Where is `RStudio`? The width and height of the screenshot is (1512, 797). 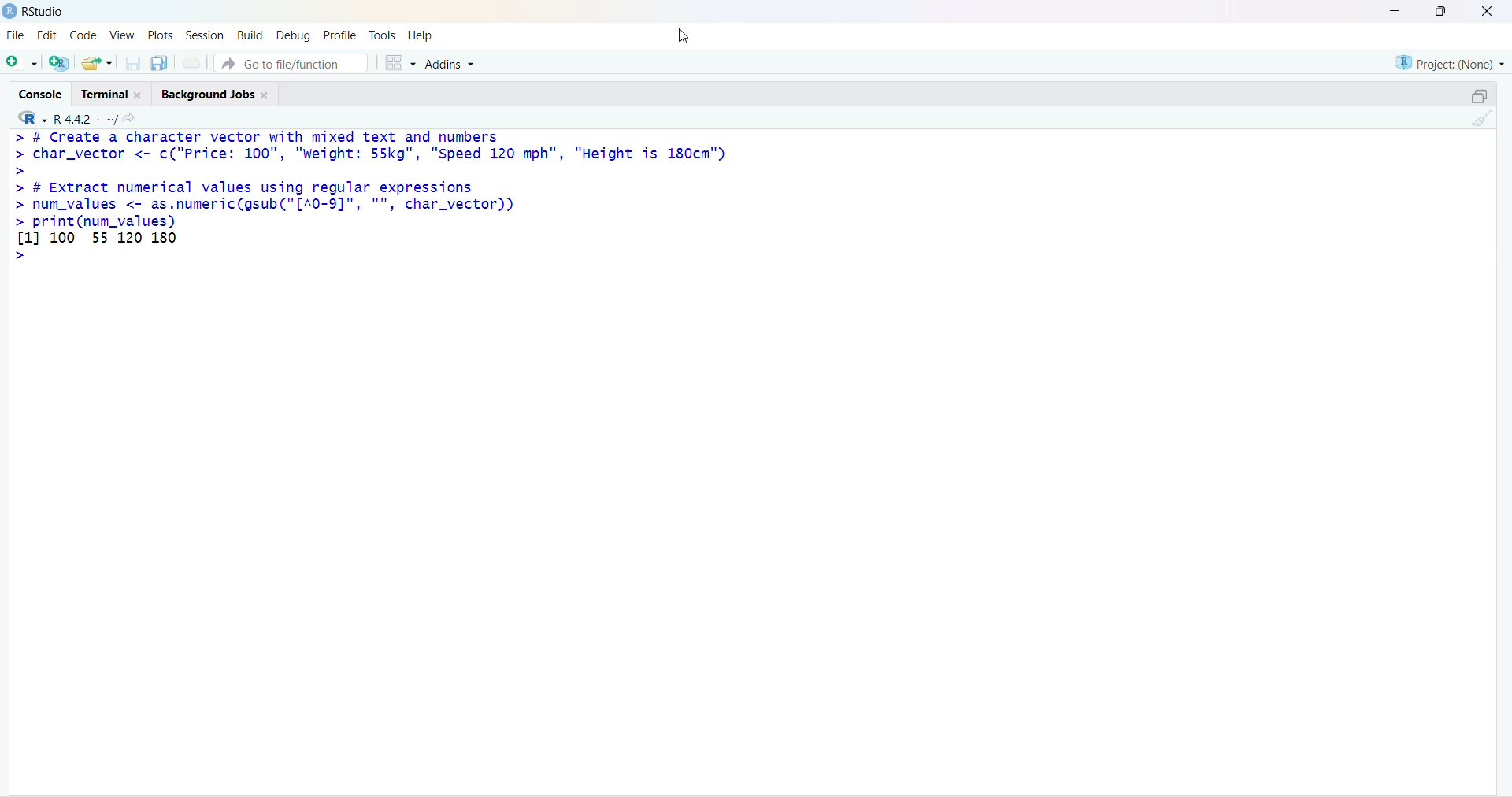 RStudio is located at coordinates (45, 11).